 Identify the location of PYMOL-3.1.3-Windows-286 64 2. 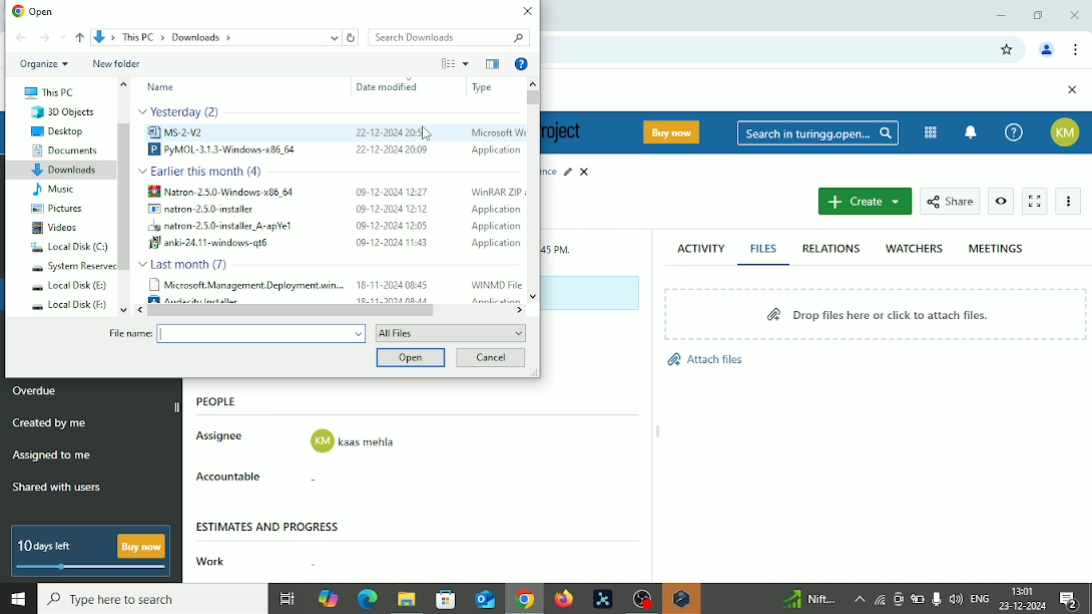
(225, 150).